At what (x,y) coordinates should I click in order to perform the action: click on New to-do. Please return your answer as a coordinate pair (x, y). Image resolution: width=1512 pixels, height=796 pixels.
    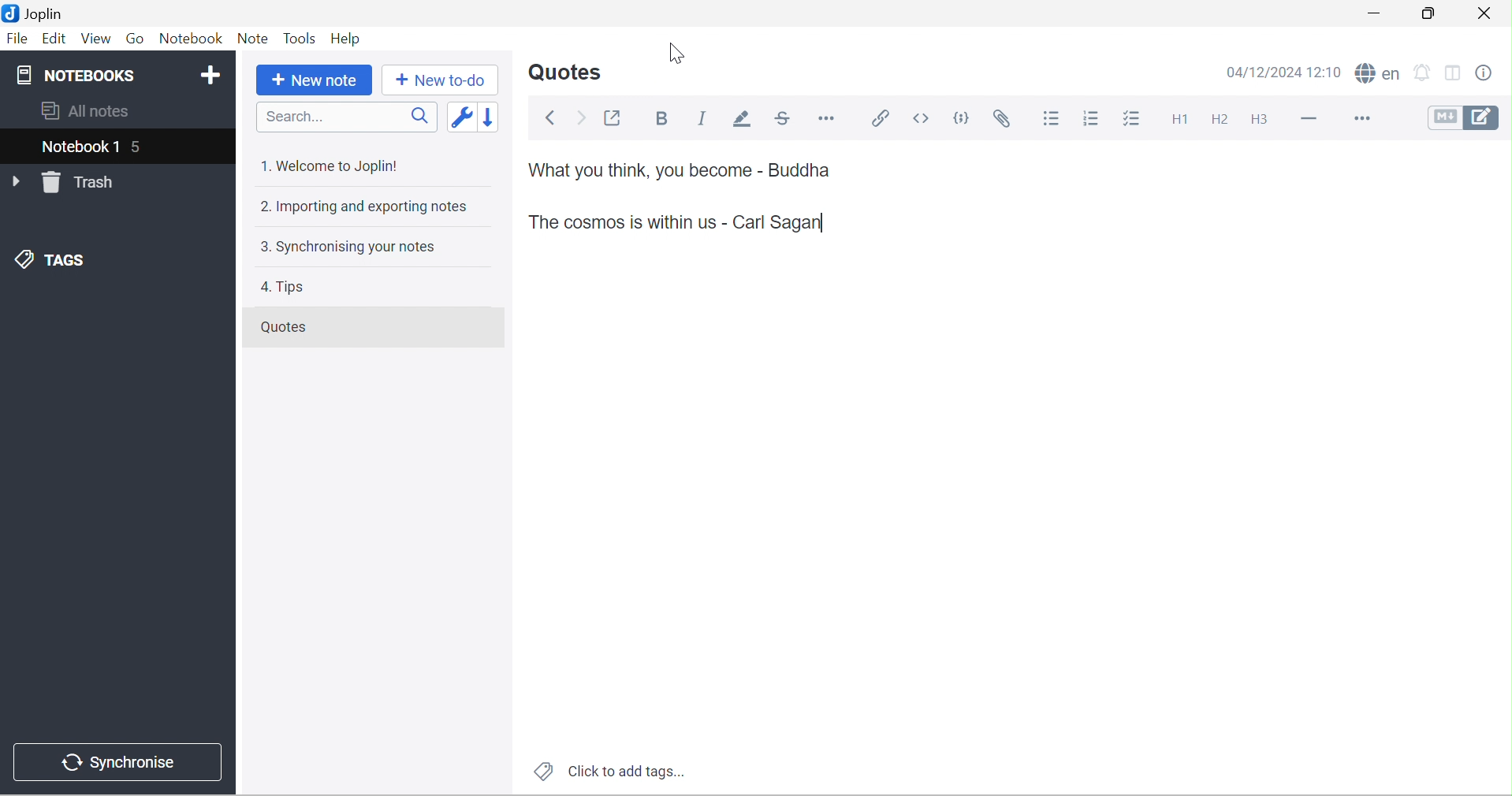
    Looking at the image, I should click on (441, 83).